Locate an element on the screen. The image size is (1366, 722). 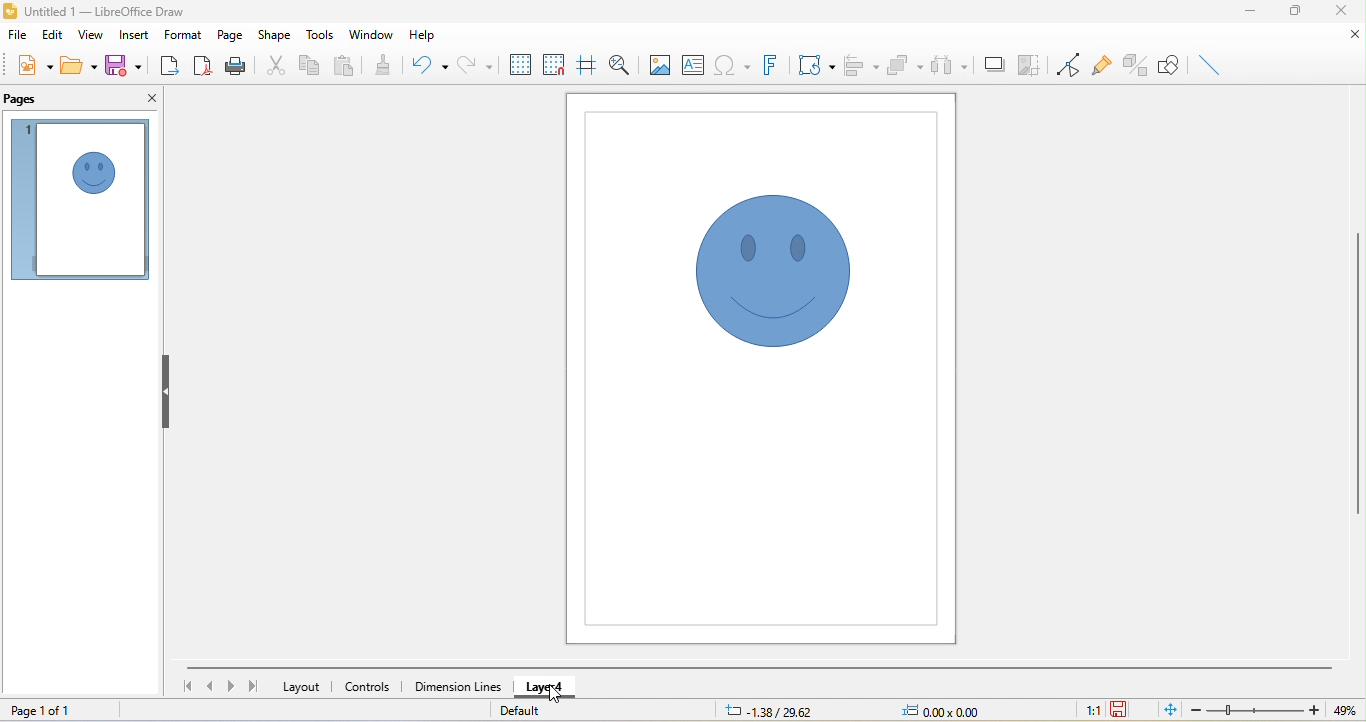
zoom is located at coordinates (1254, 710).